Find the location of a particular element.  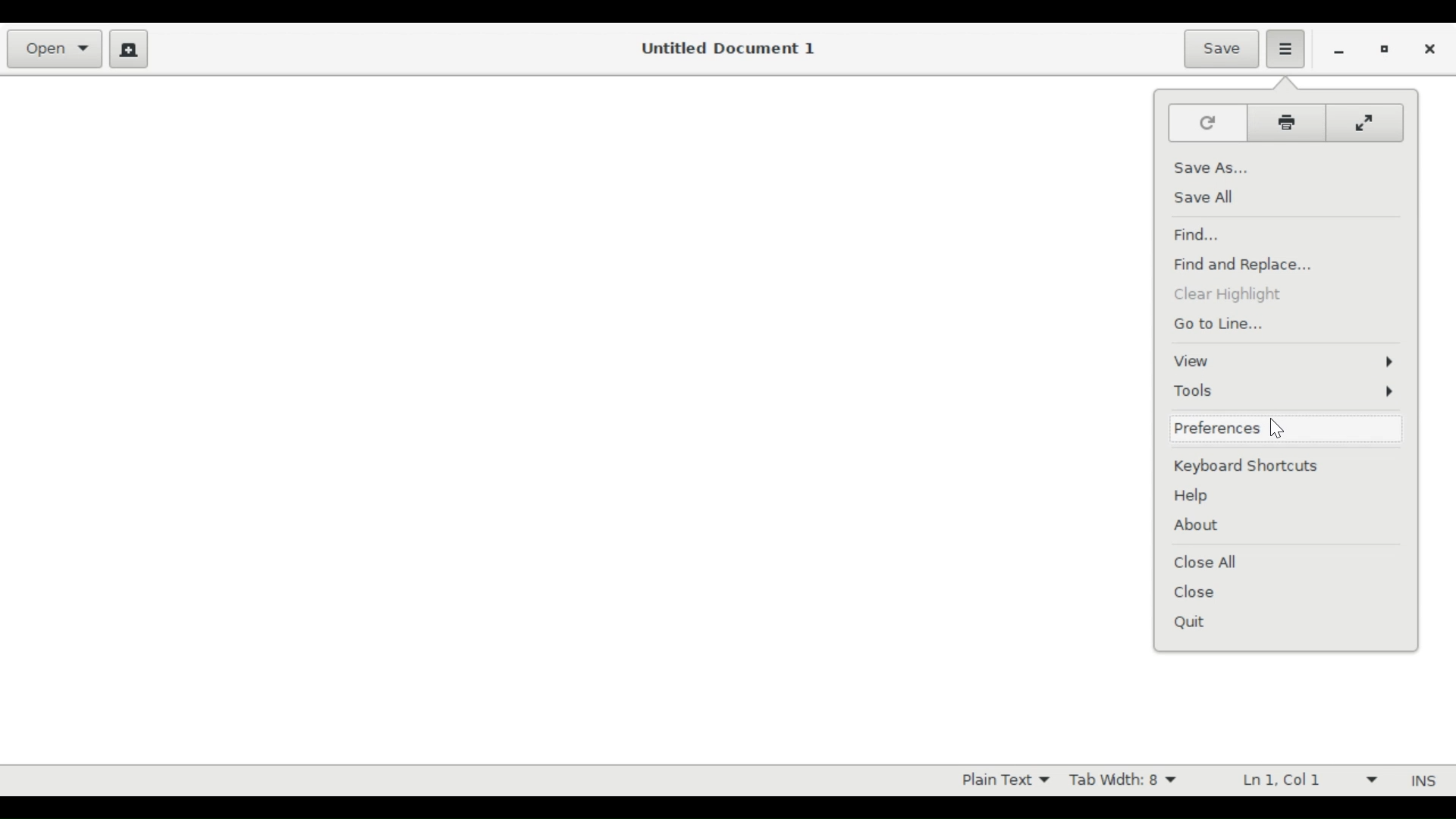

Restore is located at coordinates (1389, 52).